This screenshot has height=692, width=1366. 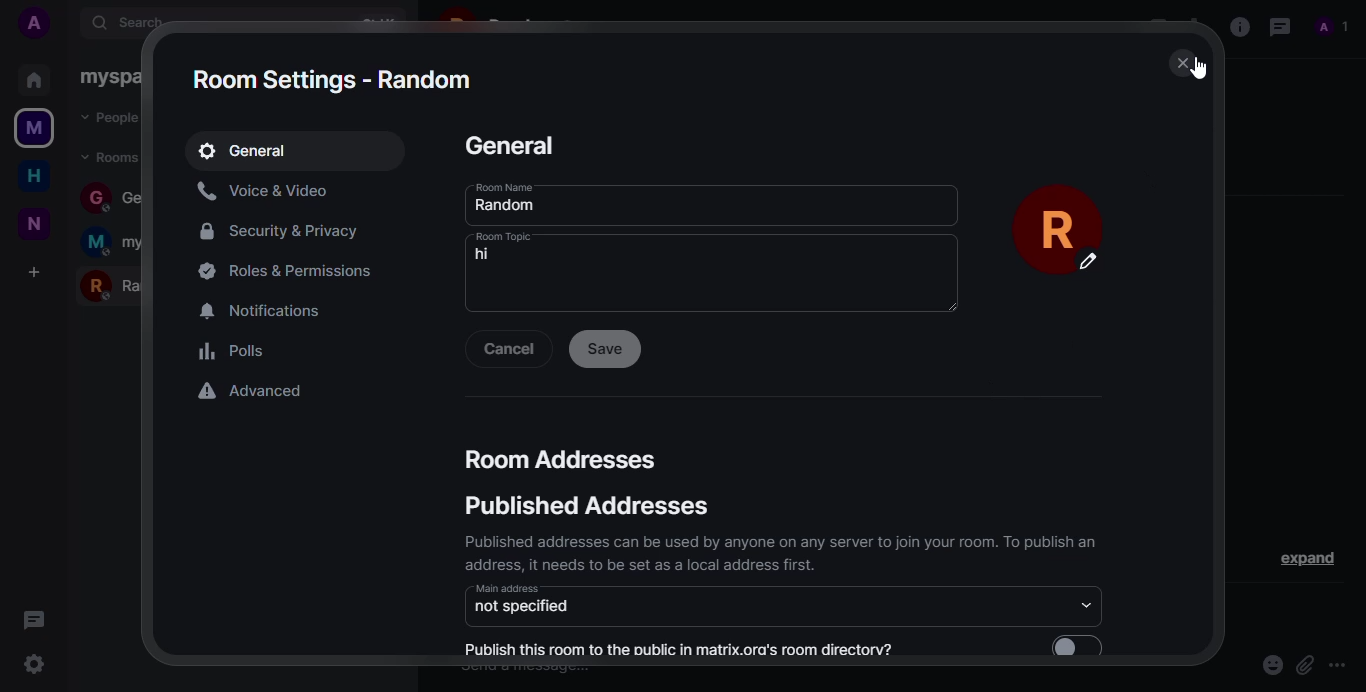 I want to click on advanced, so click(x=255, y=391).